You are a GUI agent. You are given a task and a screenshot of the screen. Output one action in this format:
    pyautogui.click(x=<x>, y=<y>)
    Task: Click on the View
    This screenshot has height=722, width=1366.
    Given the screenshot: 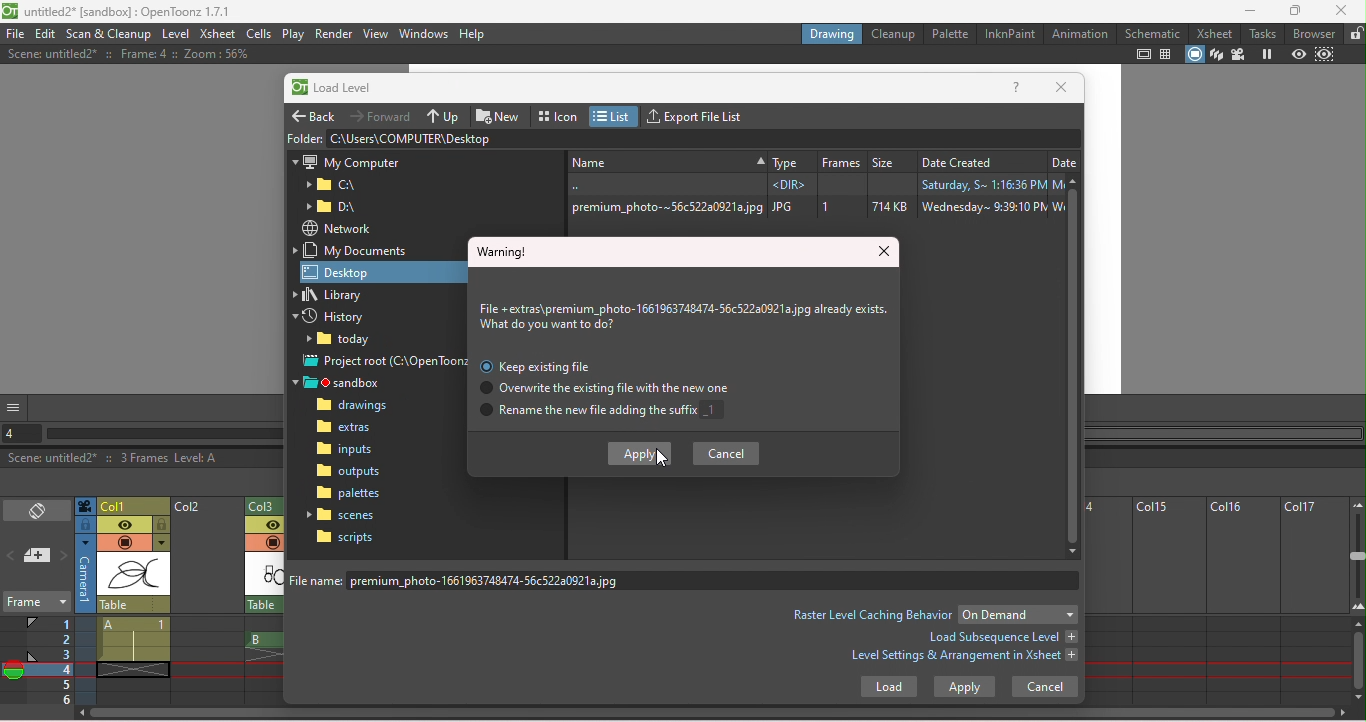 What is the action you would take?
    pyautogui.click(x=376, y=33)
    